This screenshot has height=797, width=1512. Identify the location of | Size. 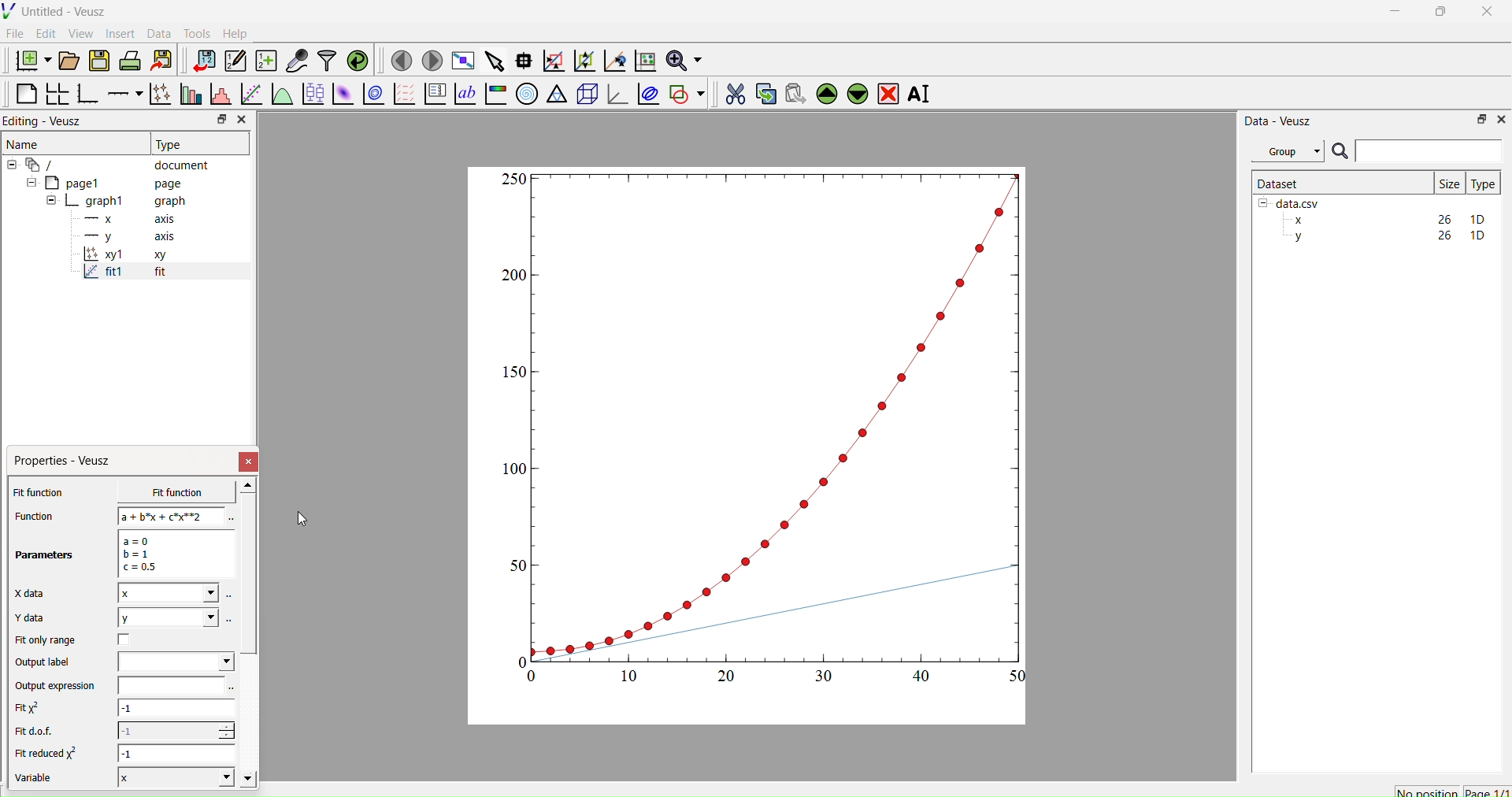
(1449, 182).